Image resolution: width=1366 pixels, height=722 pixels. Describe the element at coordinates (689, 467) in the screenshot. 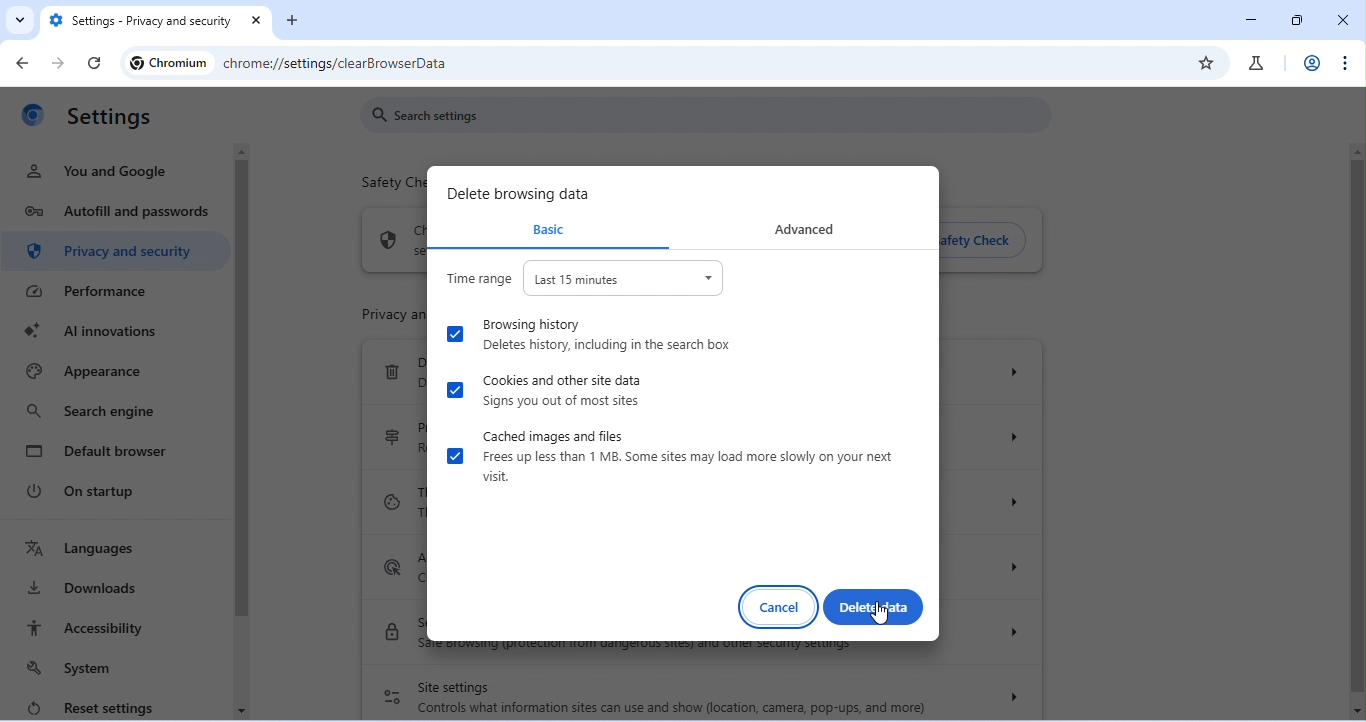

I see `information on clearing cache` at that location.